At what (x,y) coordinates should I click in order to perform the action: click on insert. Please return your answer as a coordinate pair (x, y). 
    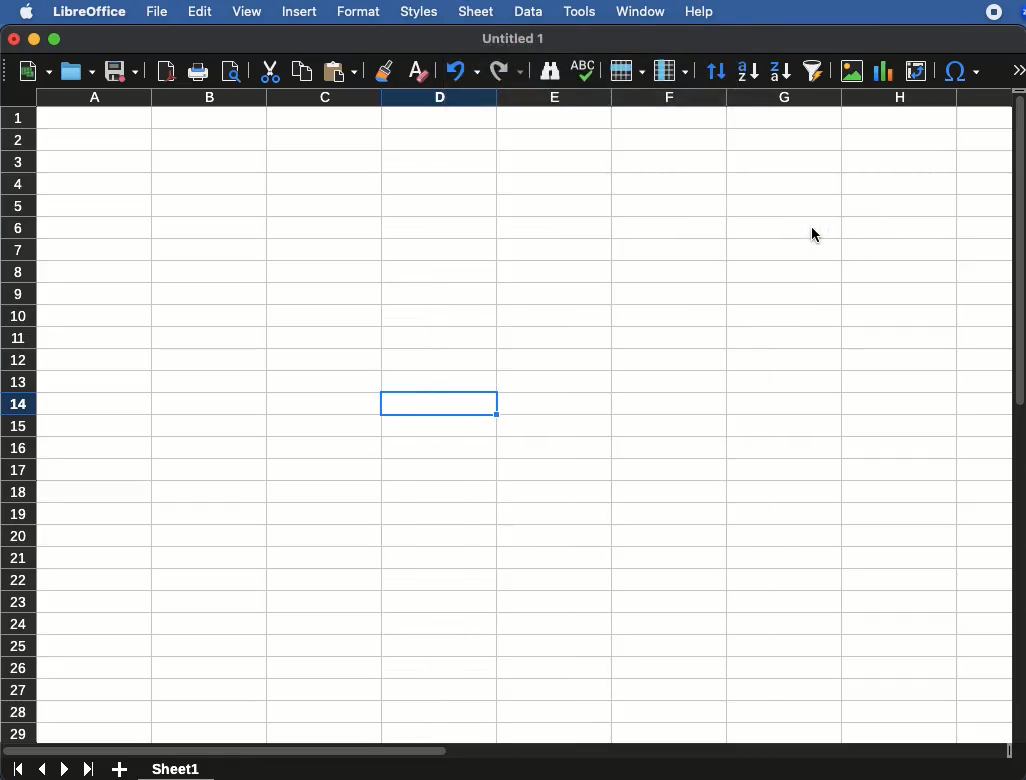
    Looking at the image, I should click on (301, 11).